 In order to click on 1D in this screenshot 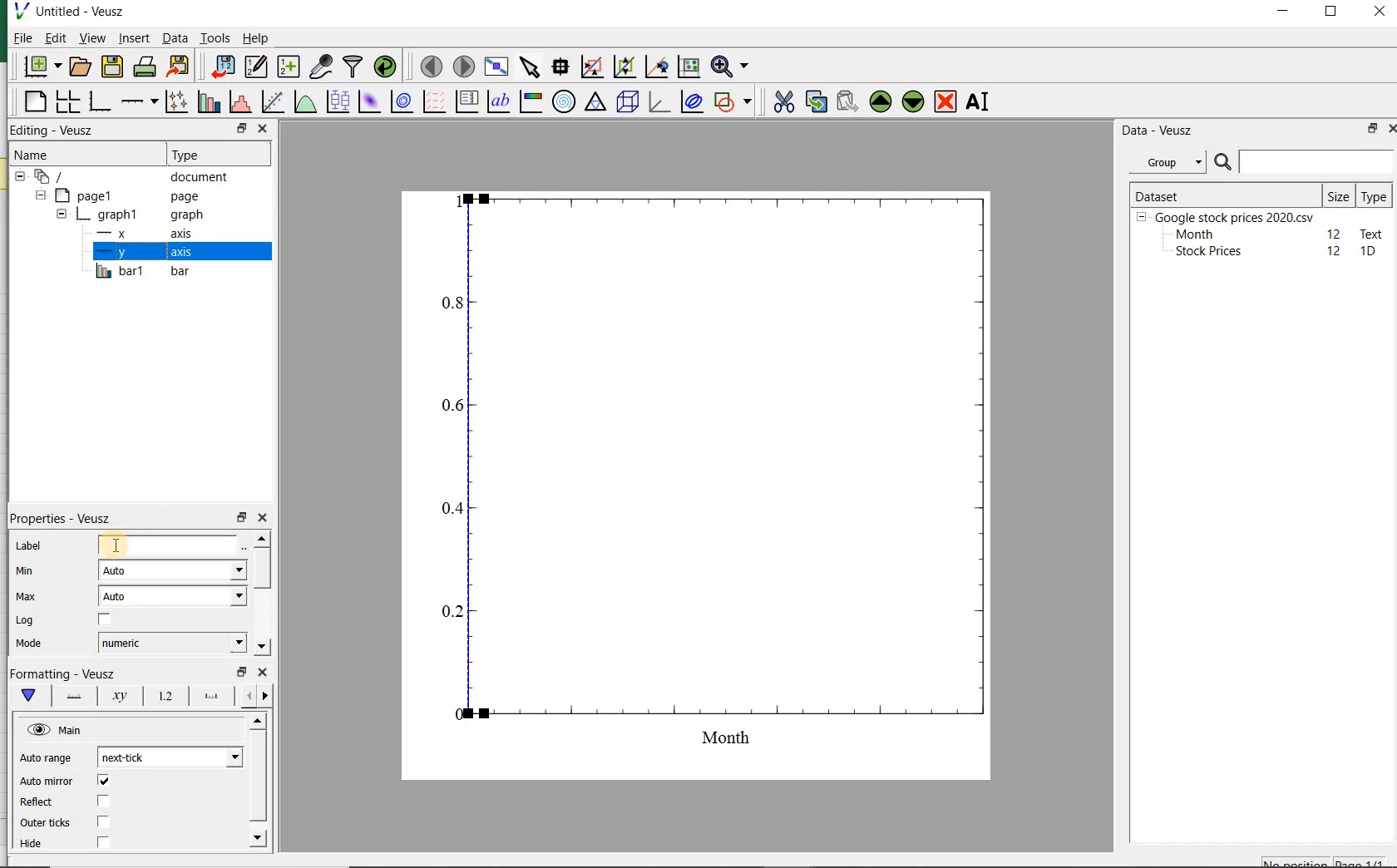, I will do `click(1370, 252)`.